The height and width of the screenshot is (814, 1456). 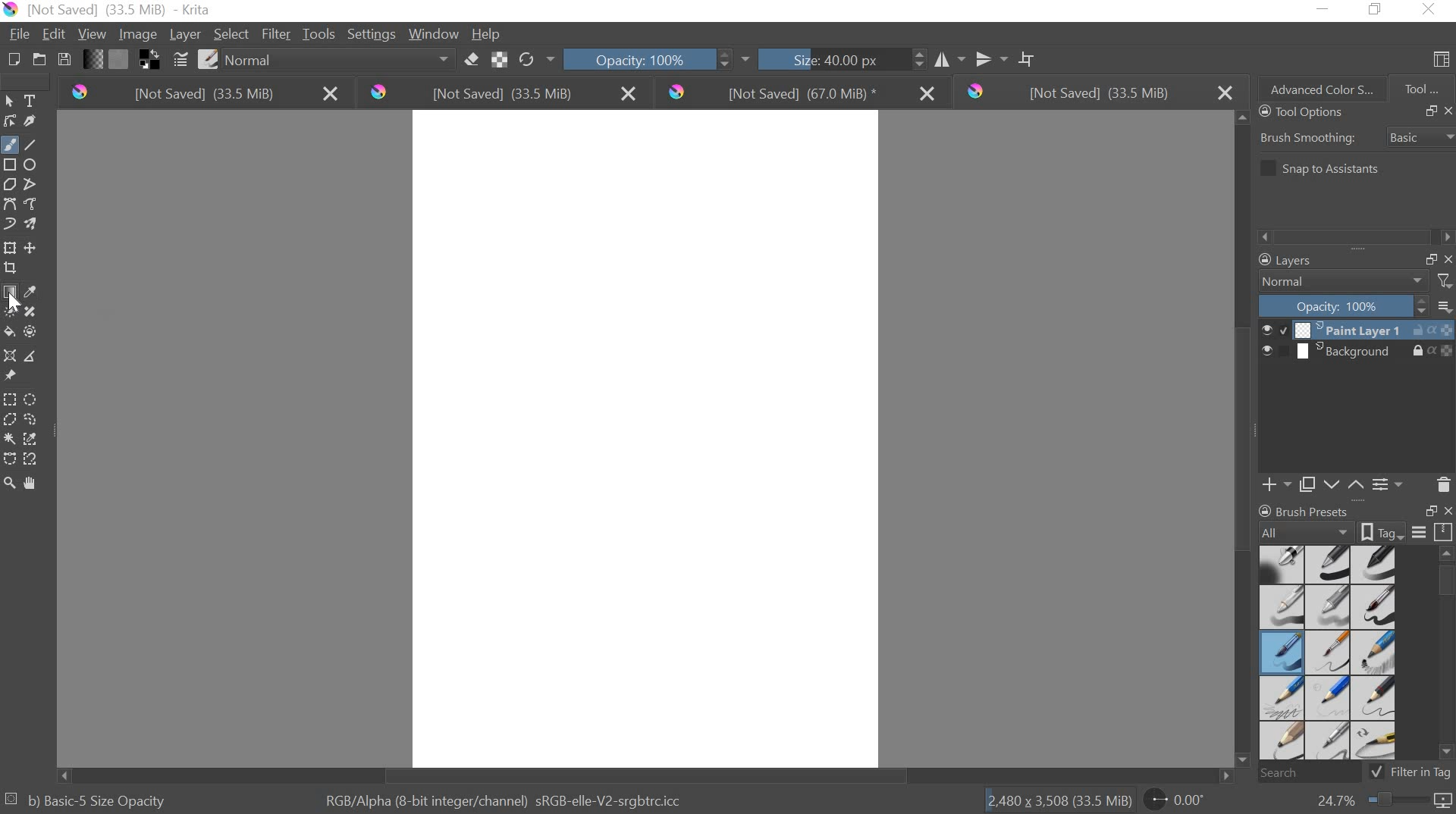 What do you see at coordinates (800, 92) in the screenshot?
I see `[not saved] (67.0 mb)` at bounding box center [800, 92].